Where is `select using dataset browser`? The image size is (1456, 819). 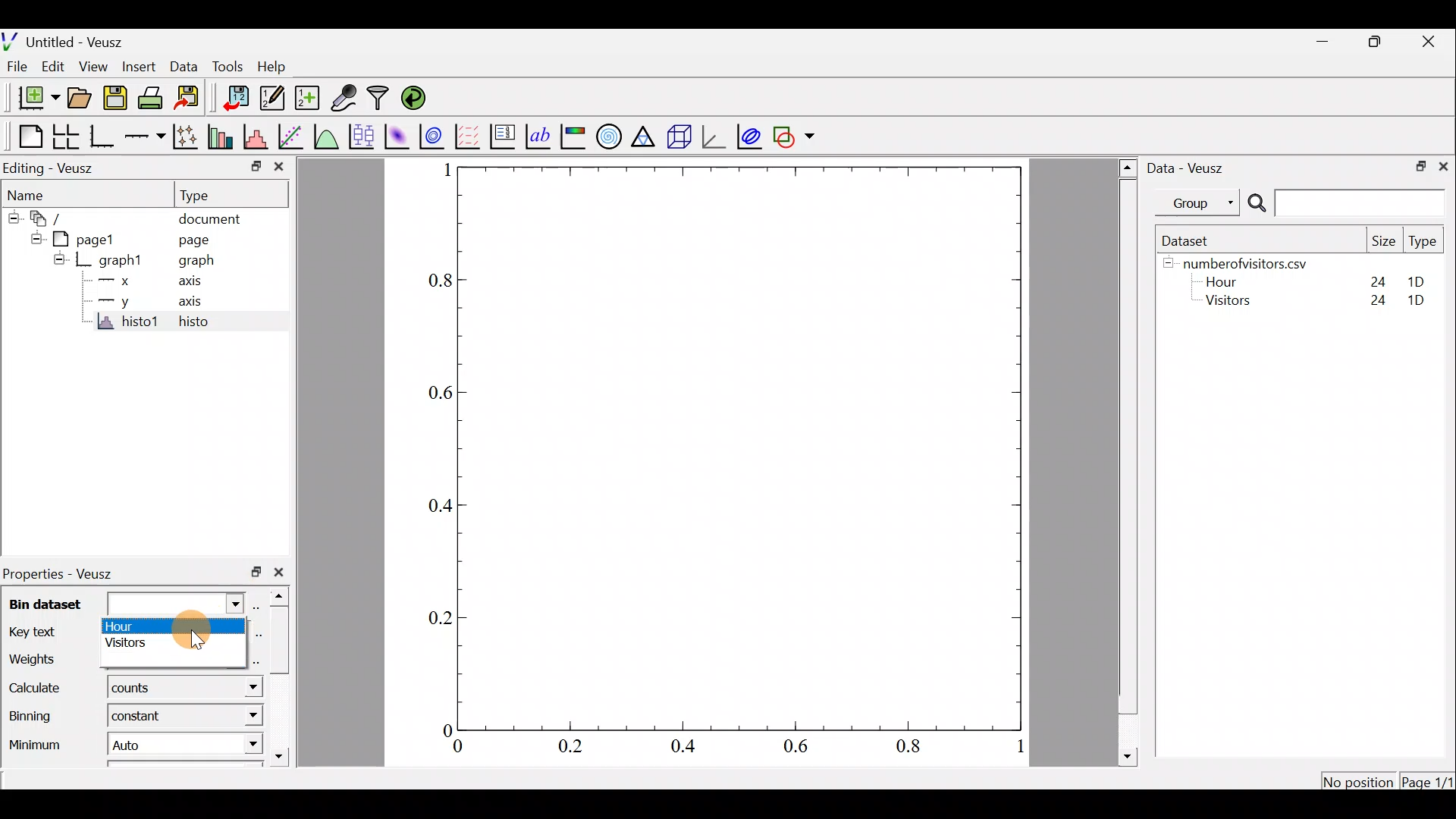 select using dataset browser is located at coordinates (255, 663).